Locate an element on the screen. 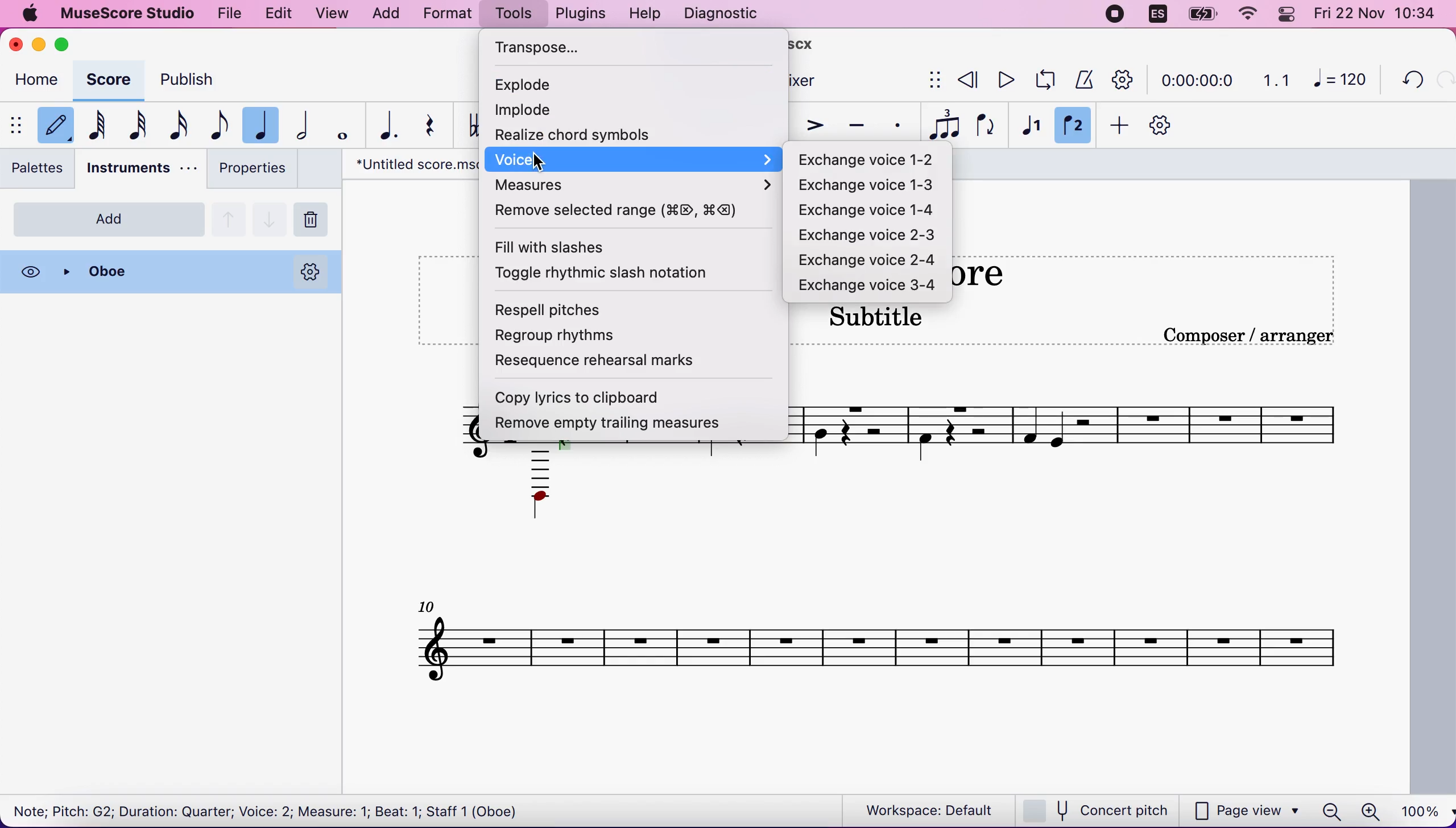 The image size is (1456, 828). score is located at coordinates (106, 77).